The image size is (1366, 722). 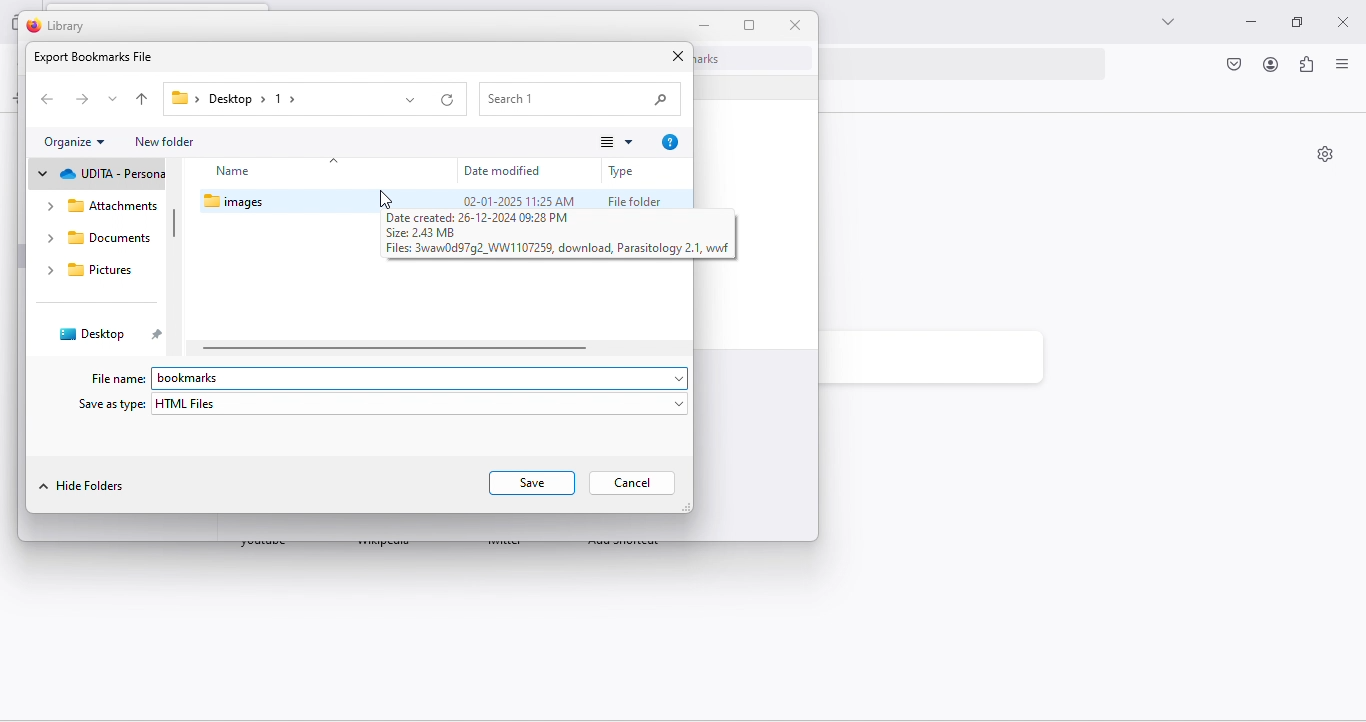 I want to click on Help, so click(x=670, y=142).